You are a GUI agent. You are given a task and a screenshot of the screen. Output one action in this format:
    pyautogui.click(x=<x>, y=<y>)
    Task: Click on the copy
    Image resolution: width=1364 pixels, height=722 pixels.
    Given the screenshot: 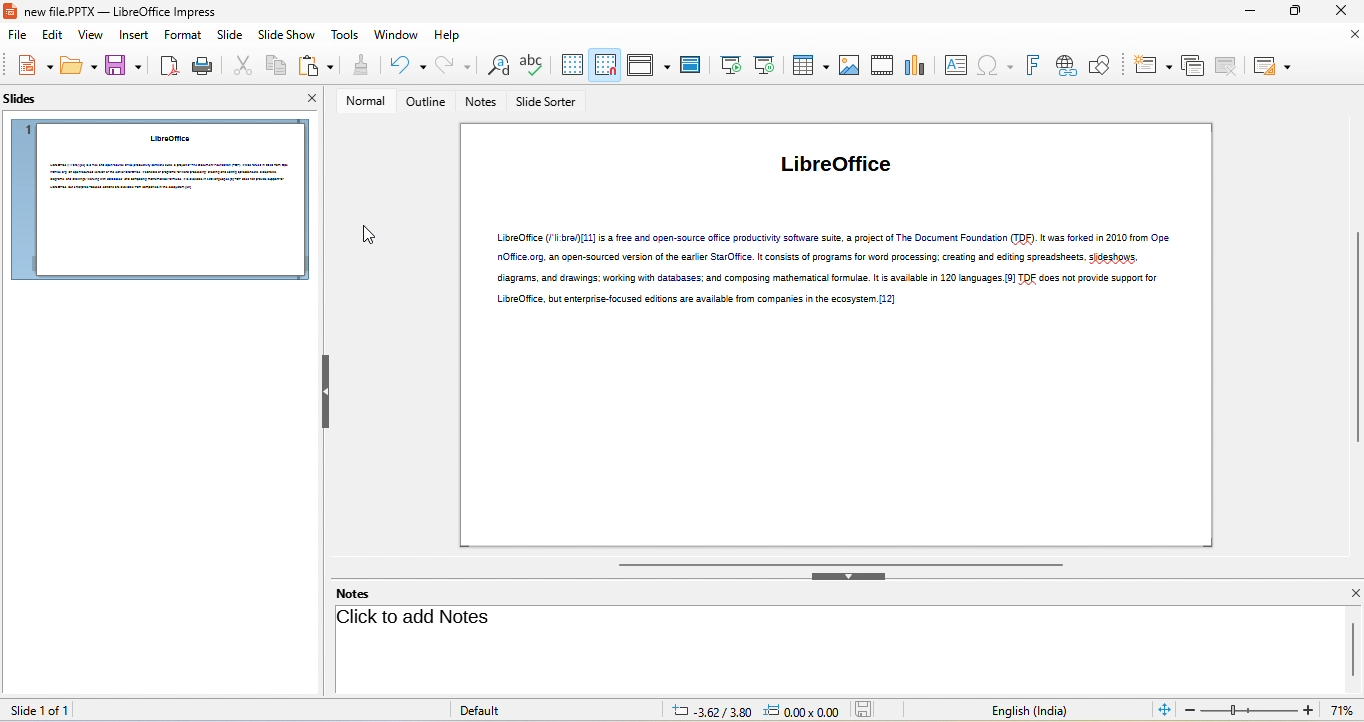 What is the action you would take?
    pyautogui.click(x=273, y=64)
    